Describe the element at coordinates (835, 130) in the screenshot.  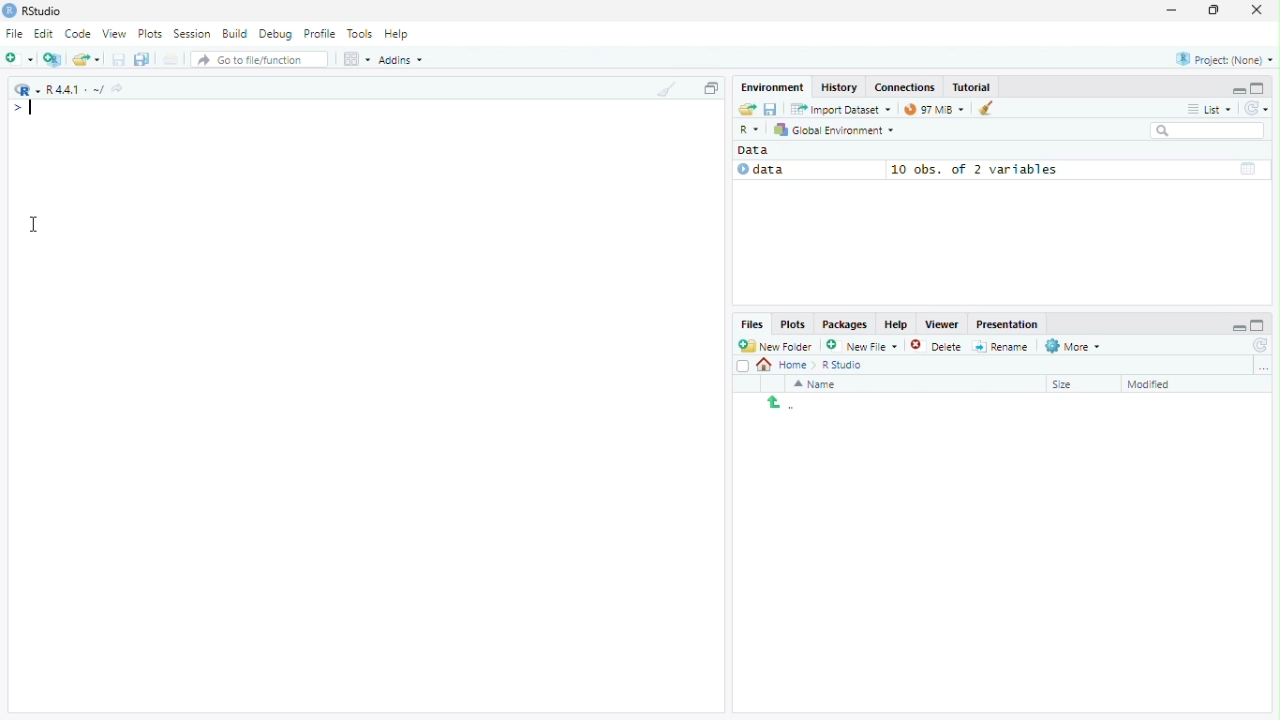
I see `Global environment` at that location.